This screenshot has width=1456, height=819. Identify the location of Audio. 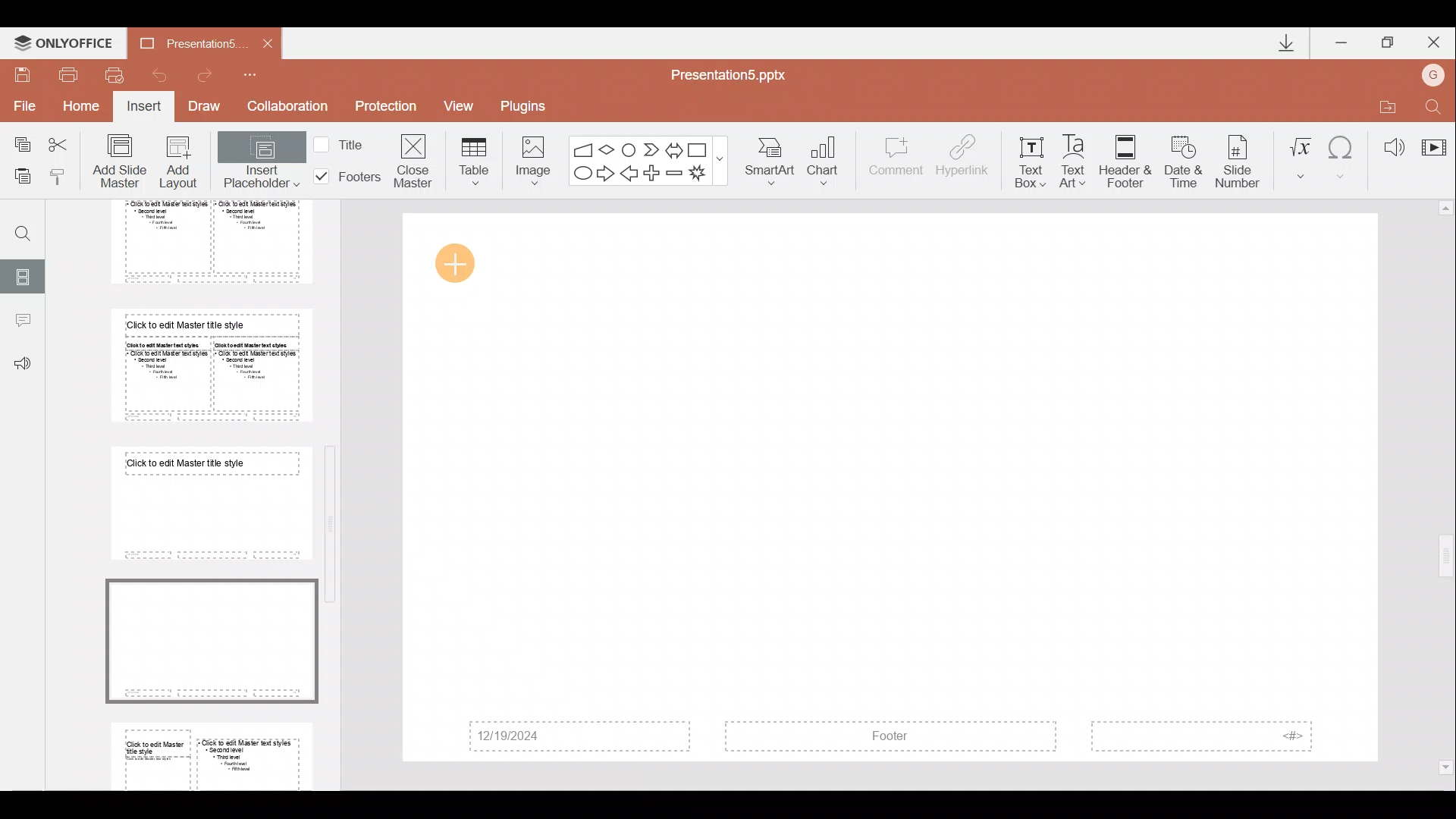
(1388, 143).